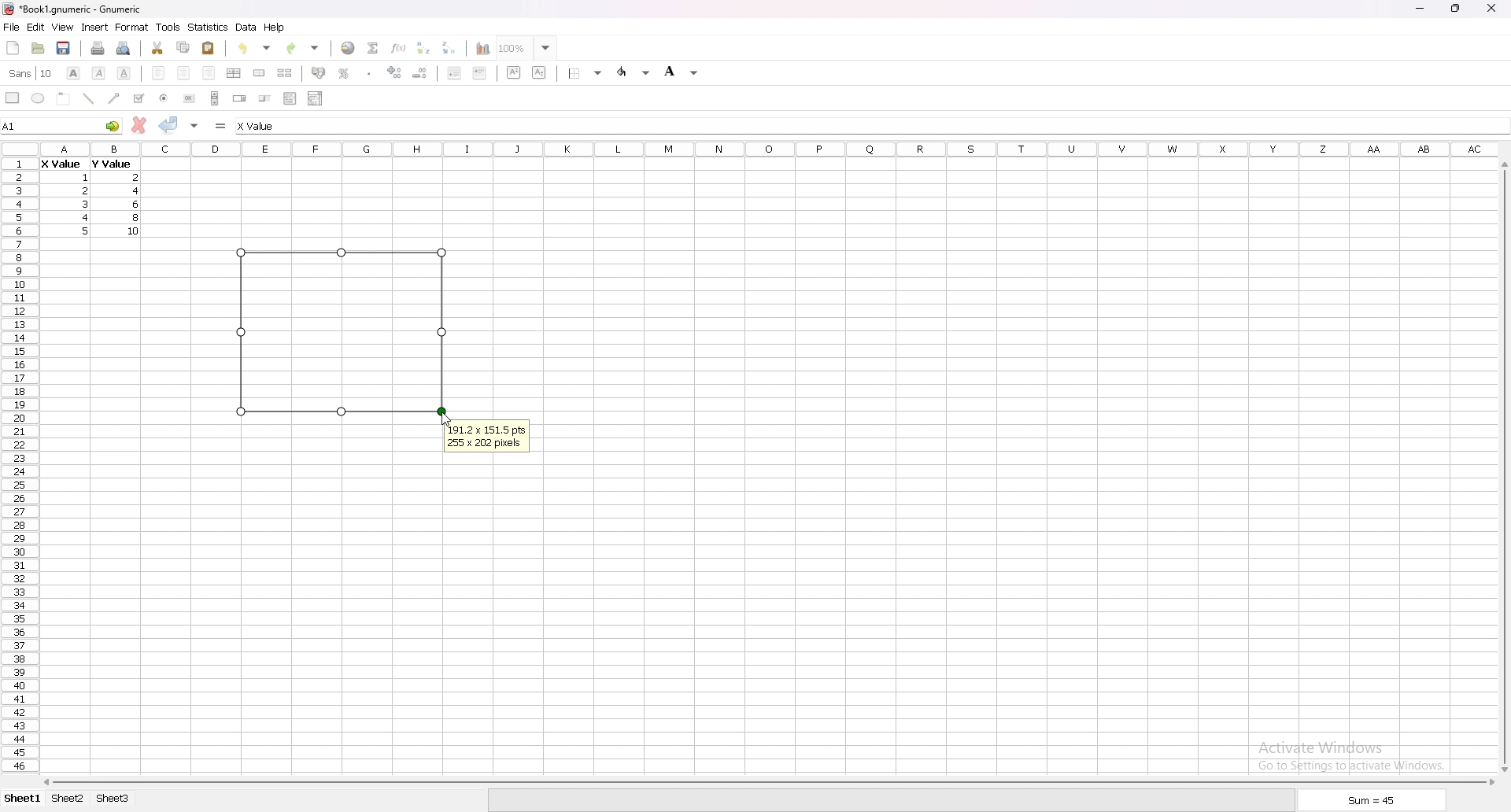  I want to click on copy, so click(183, 47).